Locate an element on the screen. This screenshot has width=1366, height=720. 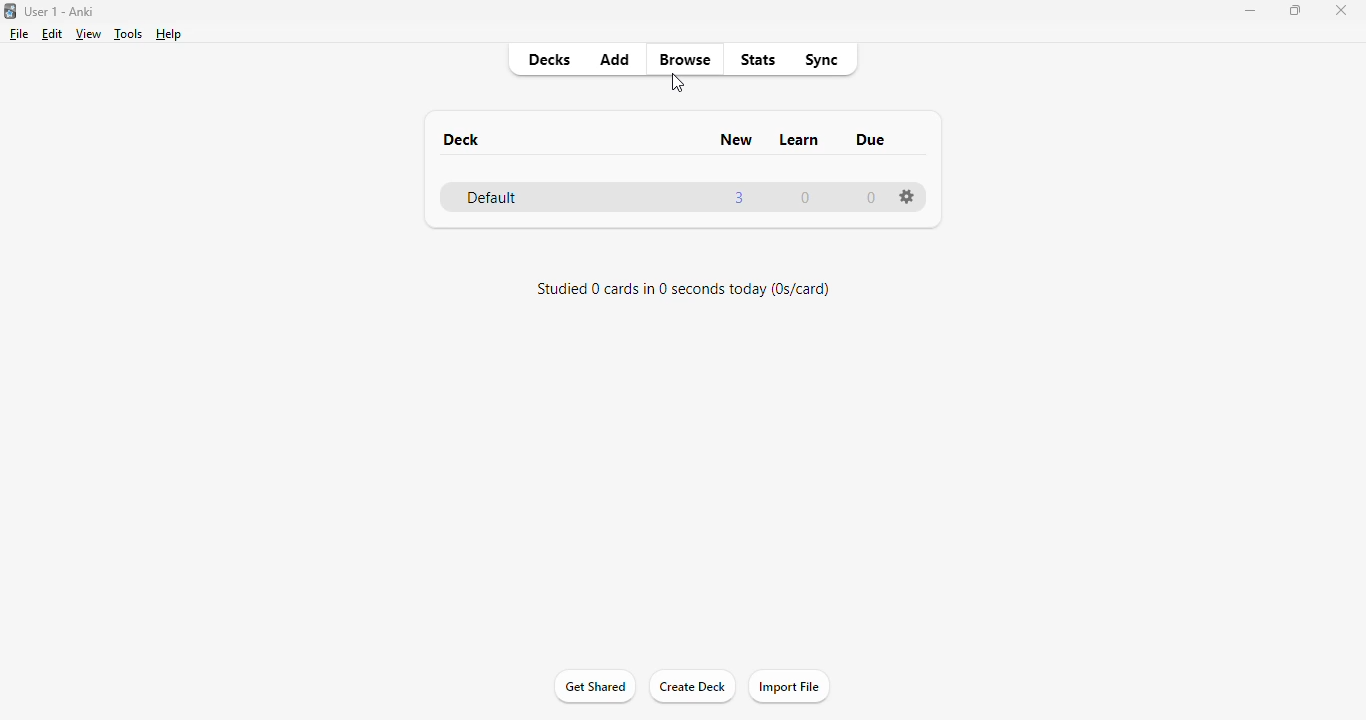
studied 0 cards in 0 seconds today (0s/card) is located at coordinates (682, 289).